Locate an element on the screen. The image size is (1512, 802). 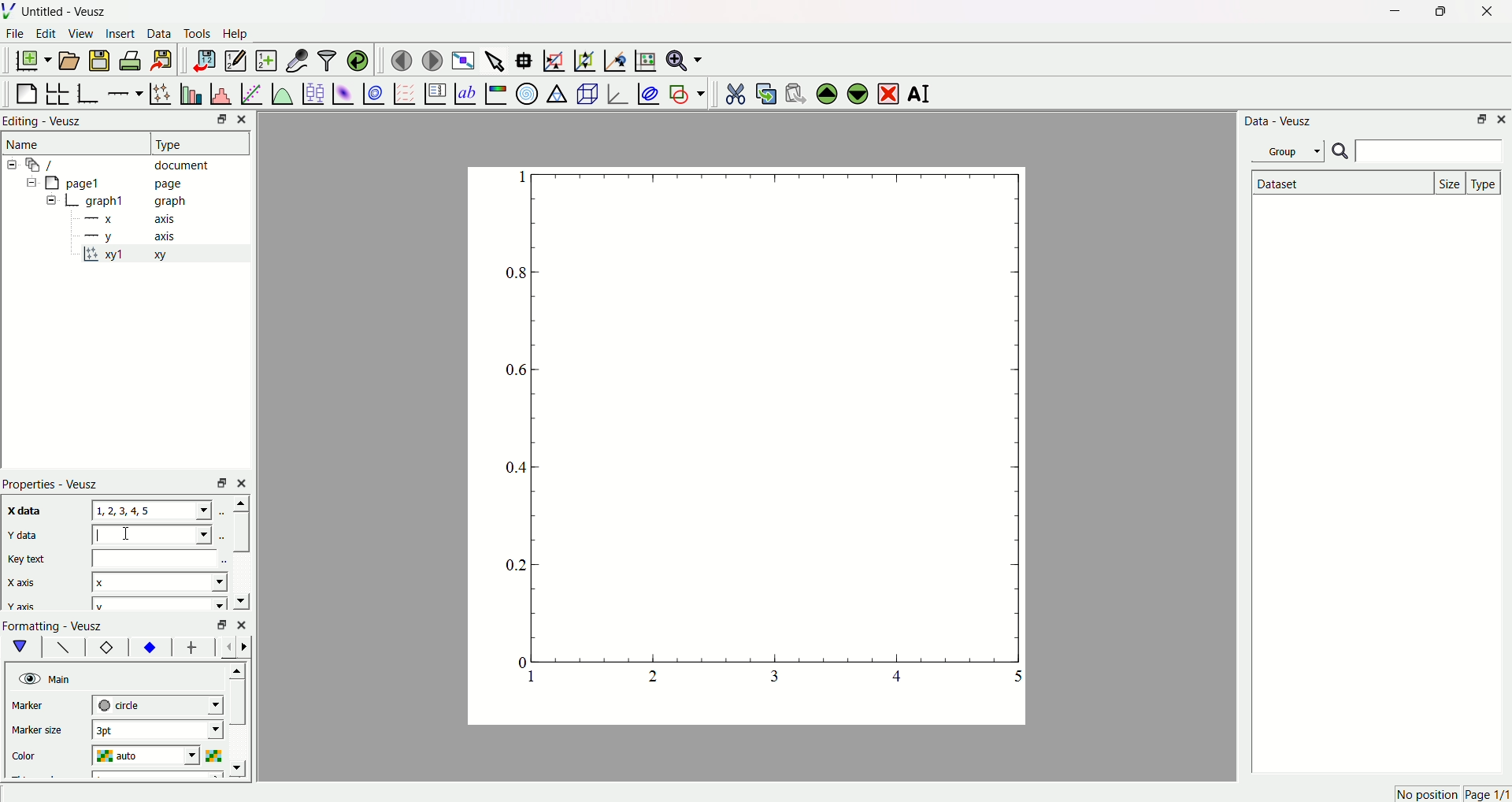
x axis is located at coordinates (133, 220).